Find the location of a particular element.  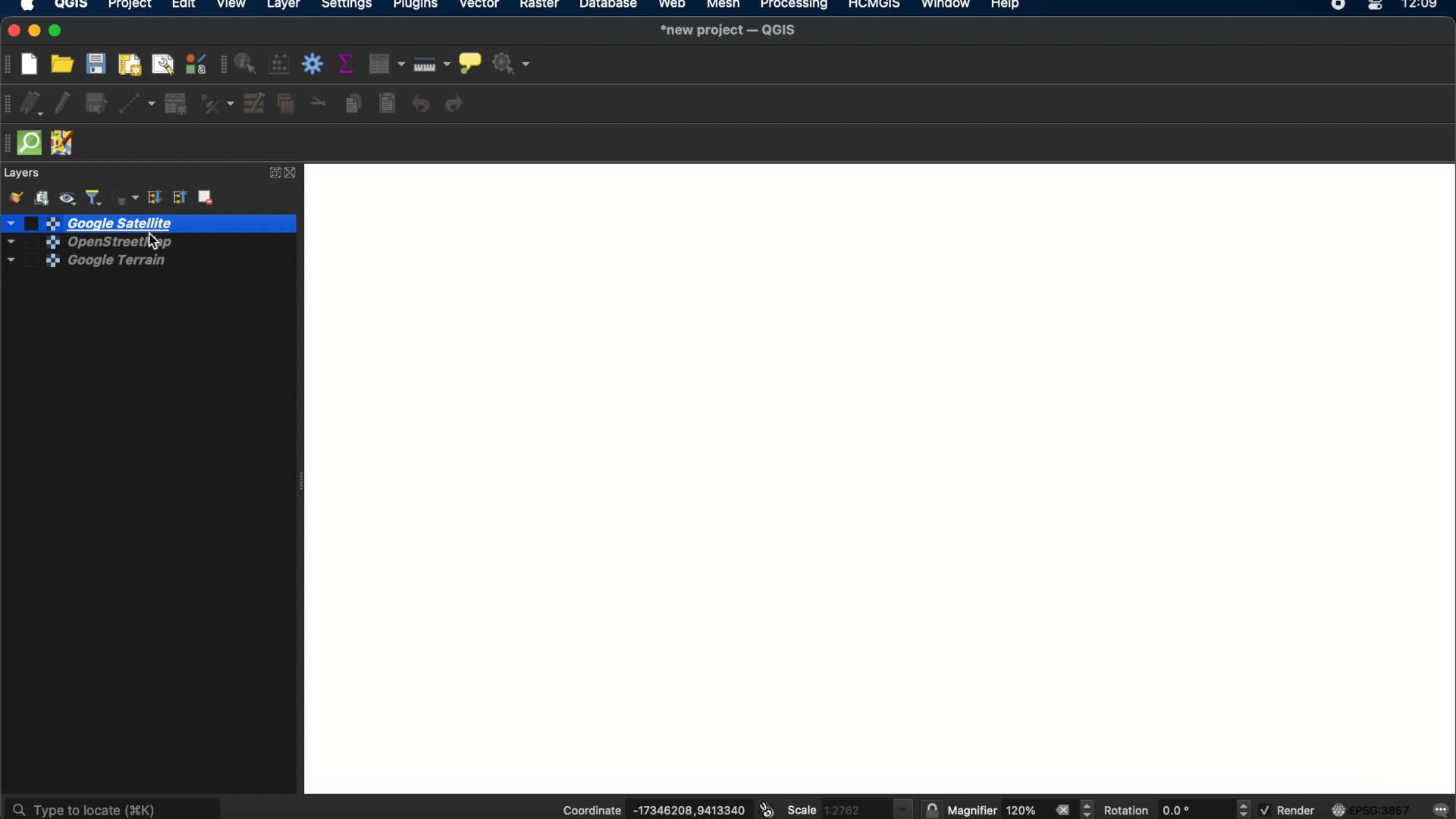

raster is located at coordinates (542, 7).